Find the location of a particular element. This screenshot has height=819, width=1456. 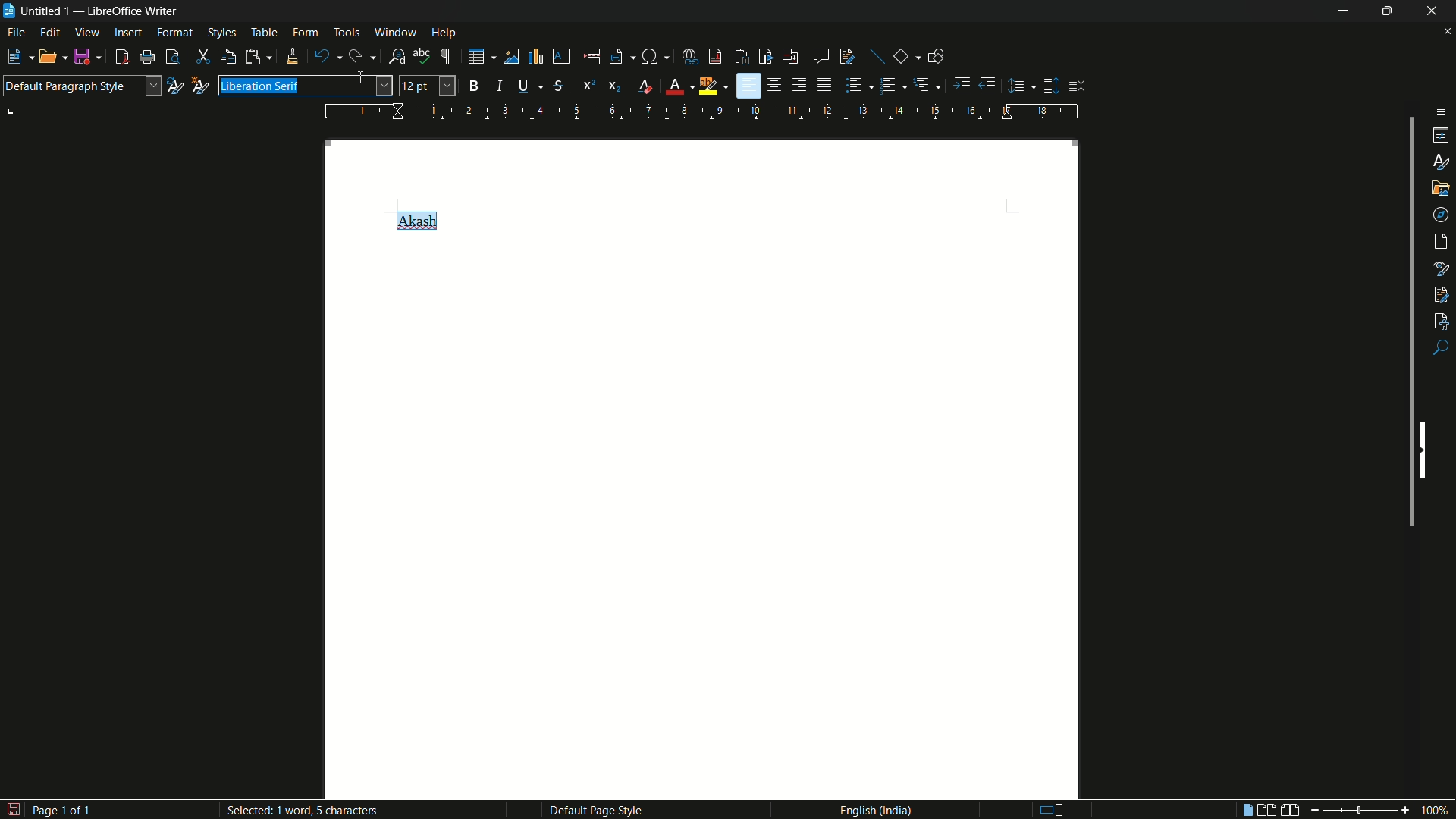

copy is located at coordinates (228, 57).